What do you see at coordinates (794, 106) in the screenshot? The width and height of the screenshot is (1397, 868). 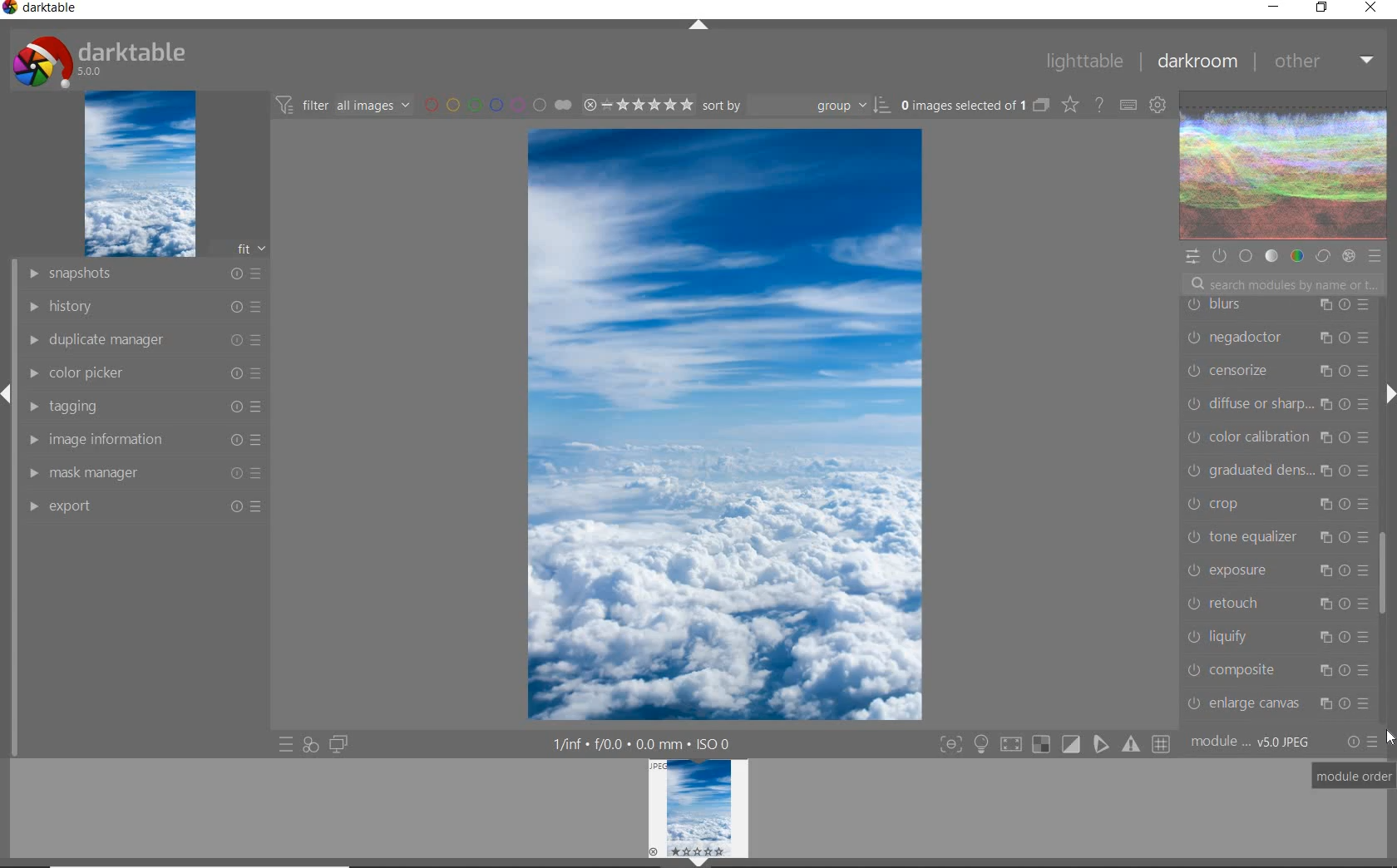 I see `sort by group` at bounding box center [794, 106].